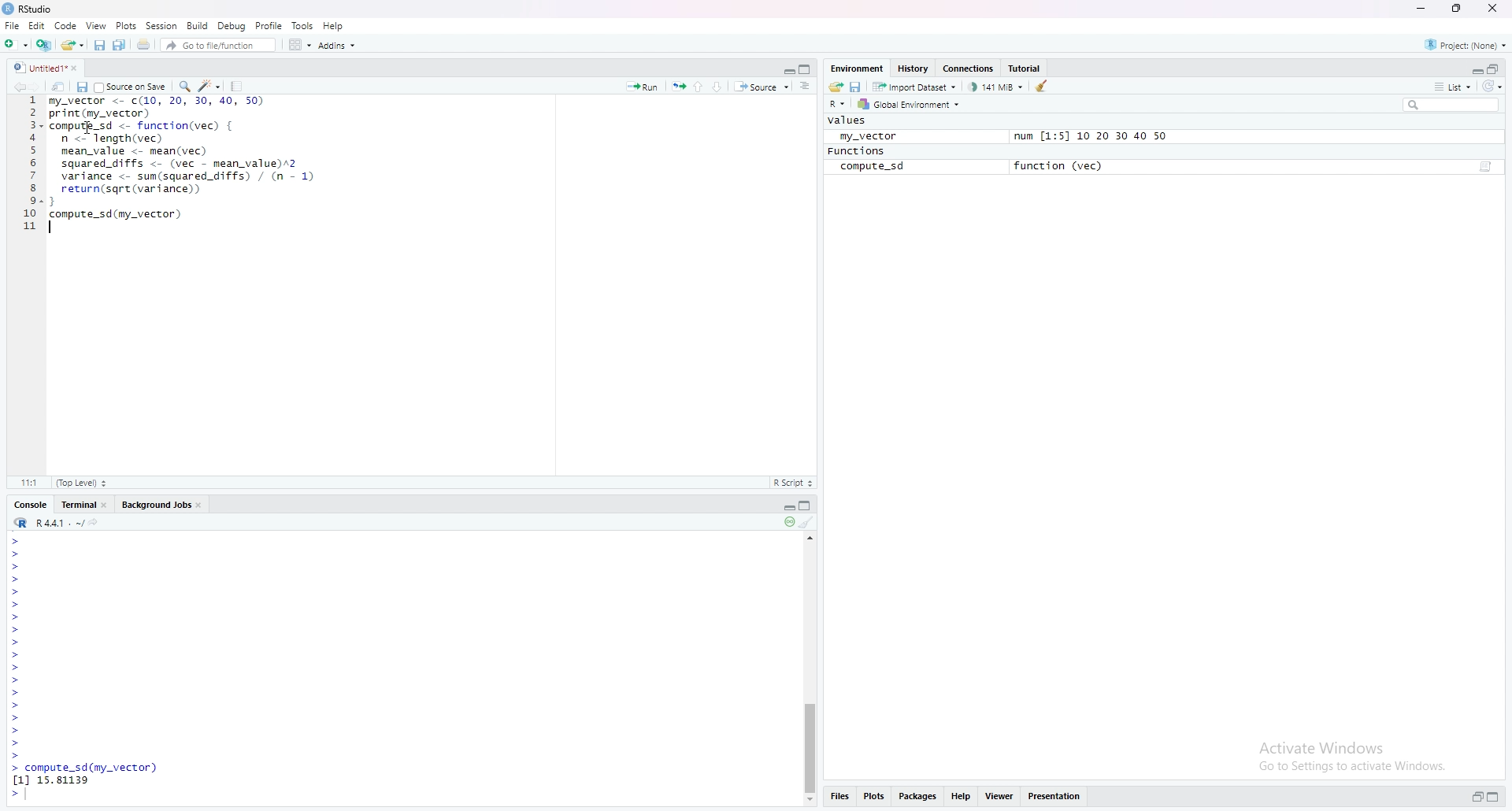  I want to click on Help, so click(960, 795).